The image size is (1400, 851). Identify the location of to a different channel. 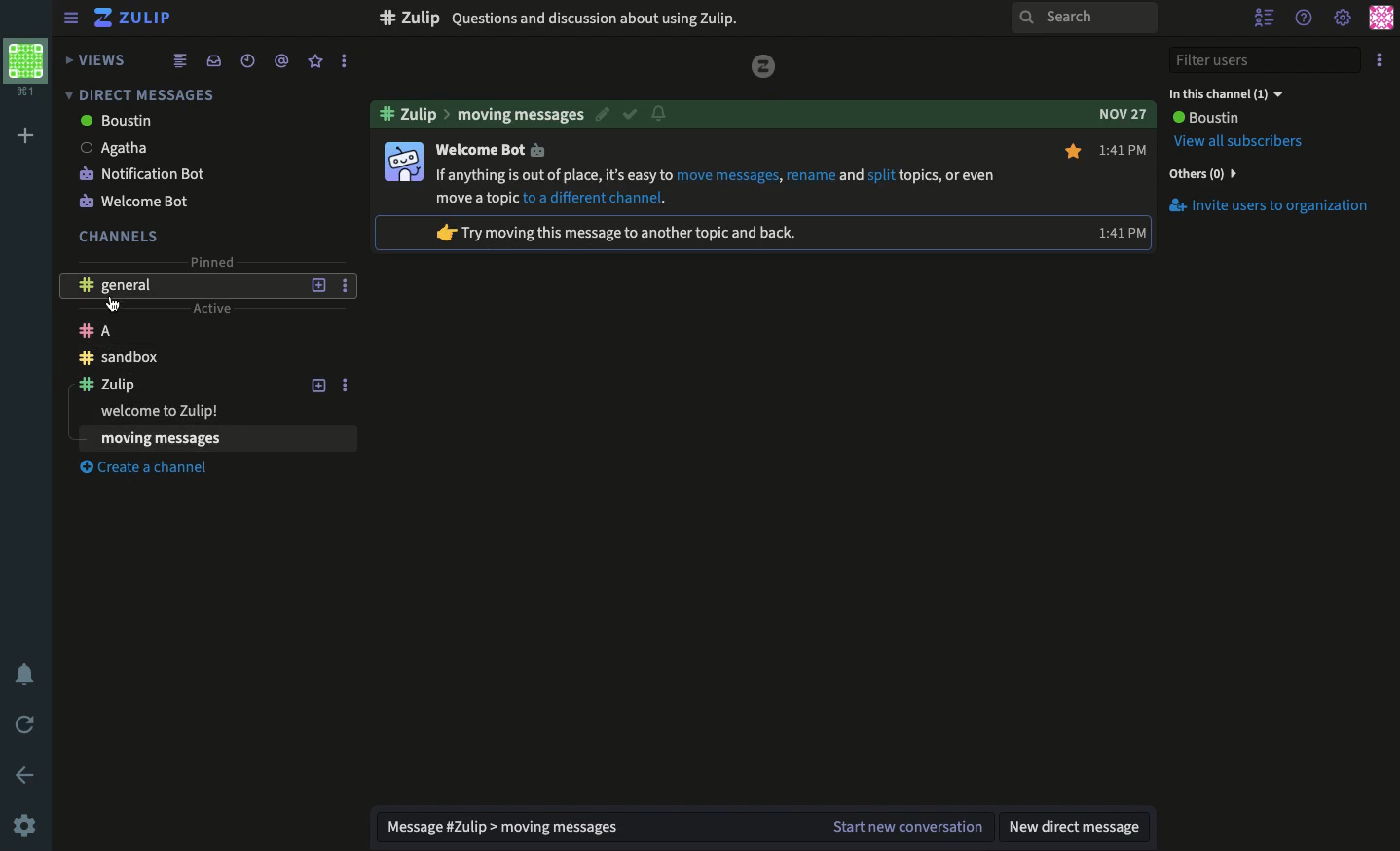
(592, 197).